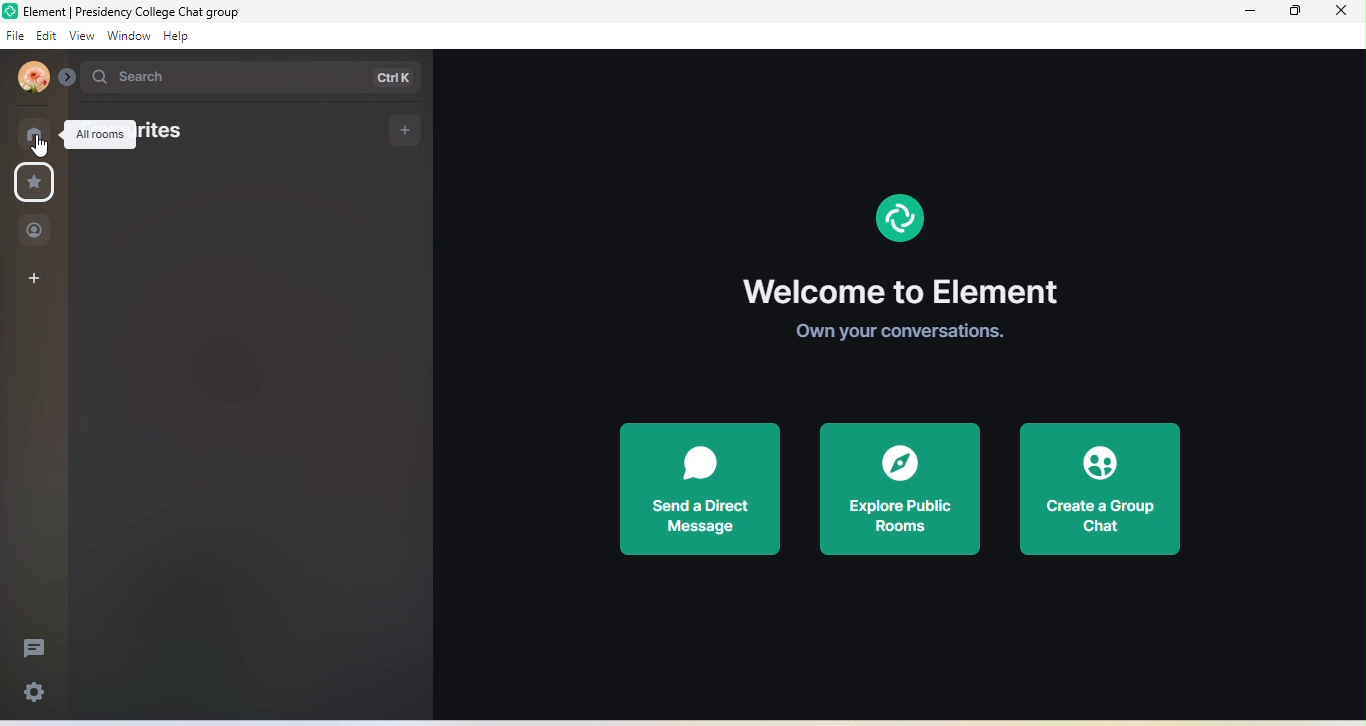  Describe the element at coordinates (38, 278) in the screenshot. I see `create a space` at that location.